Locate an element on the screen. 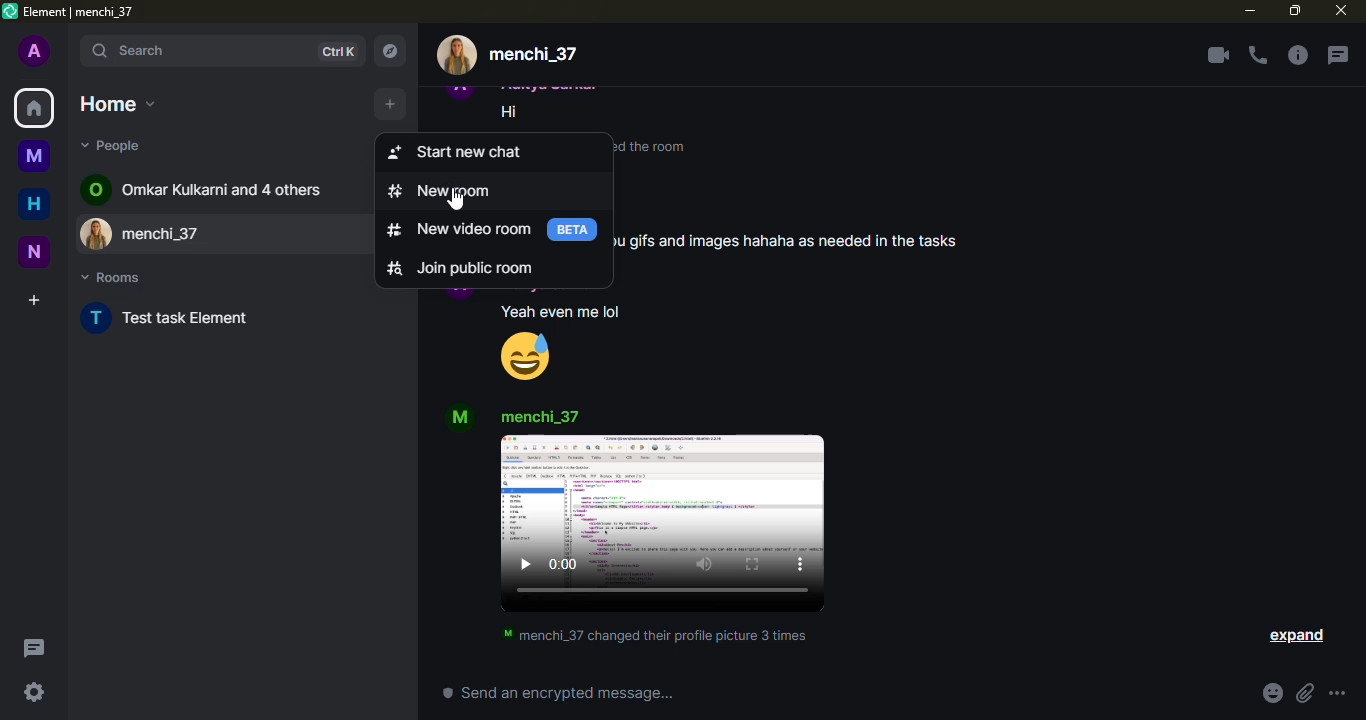 Image resolution: width=1366 pixels, height=720 pixels. voice call is located at coordinates (1258, 55).